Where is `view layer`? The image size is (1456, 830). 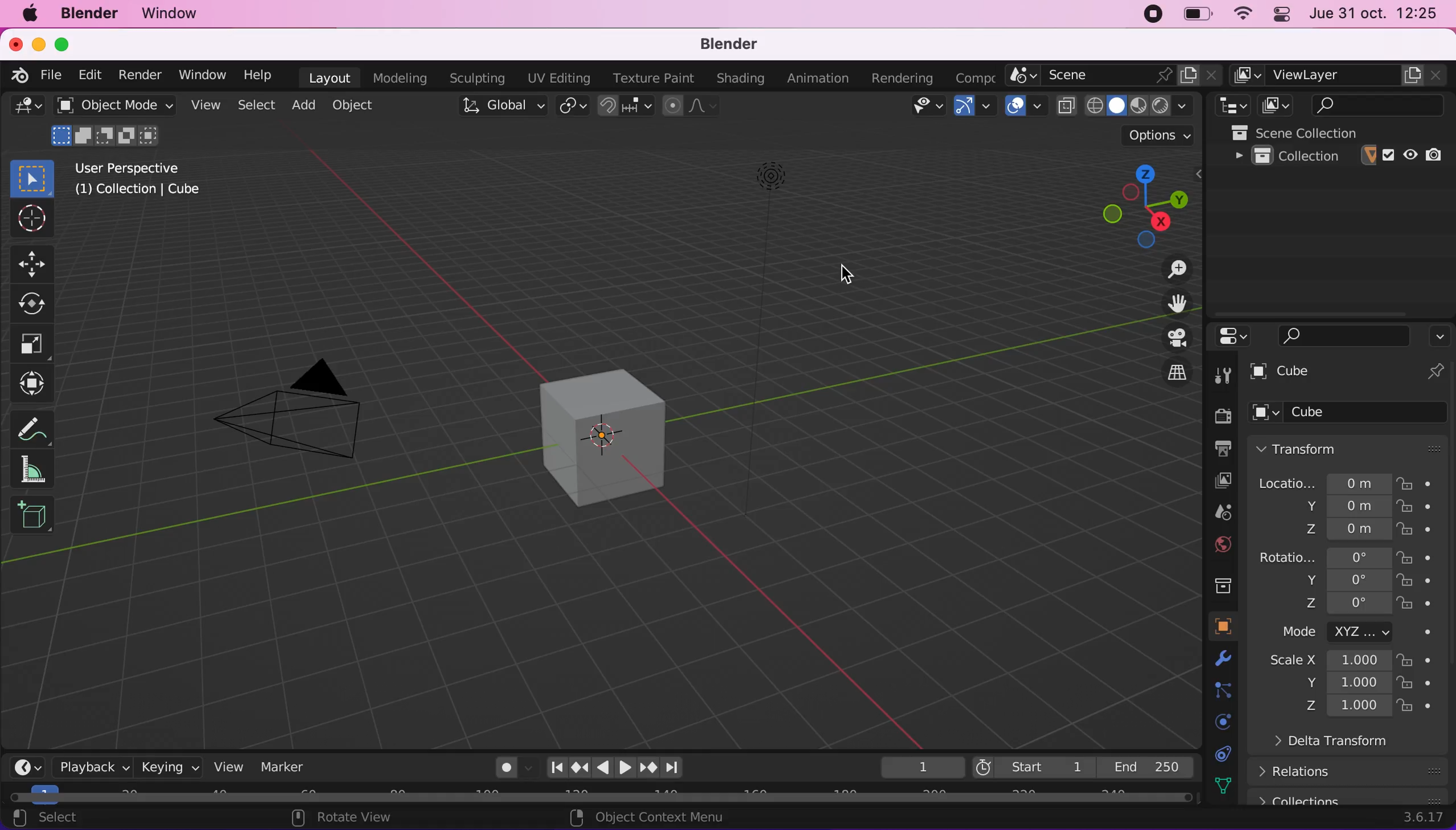 view layer is located at coordinates (1212, 481).